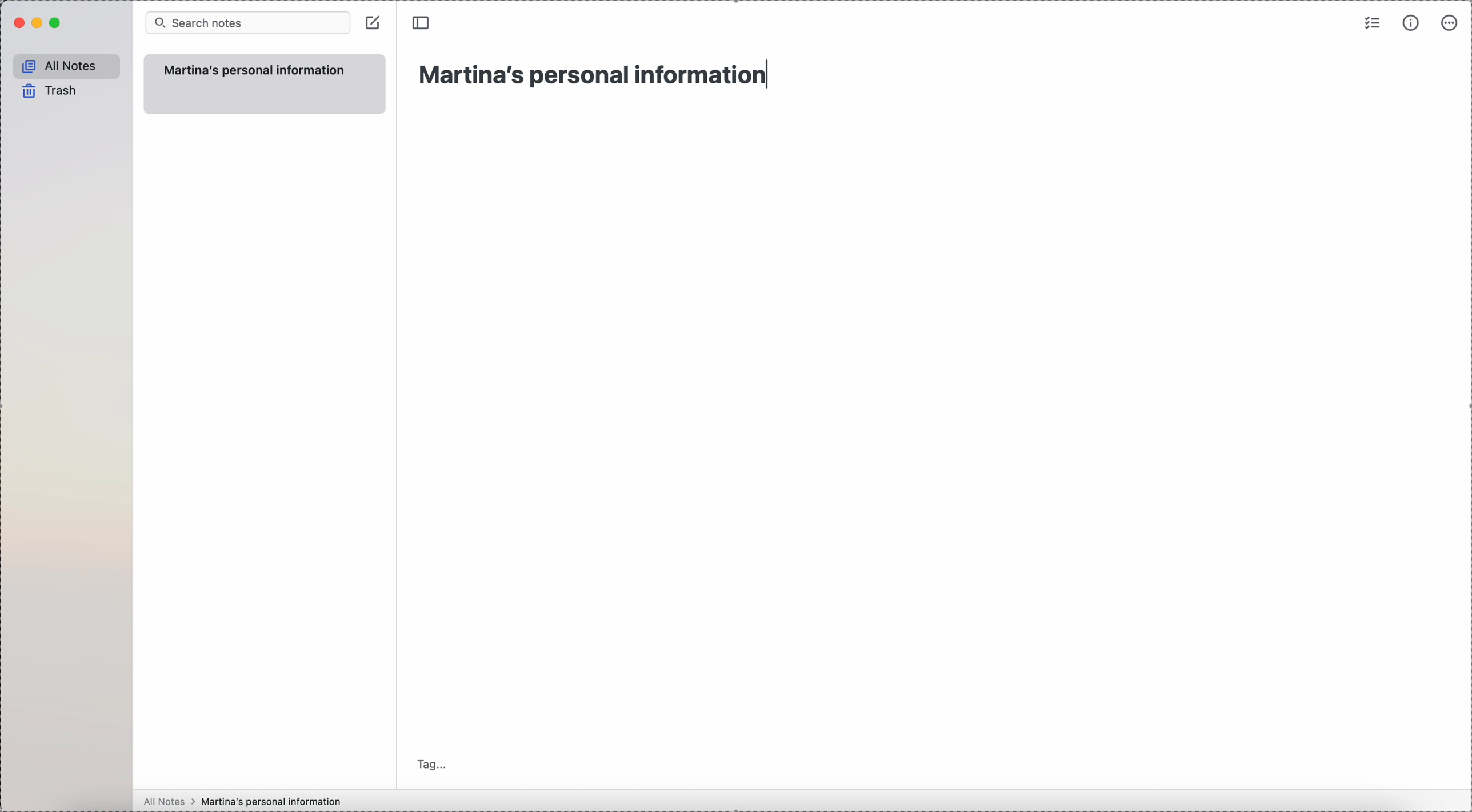 The image size is (1472, 812). What do you see at coordinates (419, 23) in the screenshot?
I see `toggle sidebar` at bounding box center [419, 23].